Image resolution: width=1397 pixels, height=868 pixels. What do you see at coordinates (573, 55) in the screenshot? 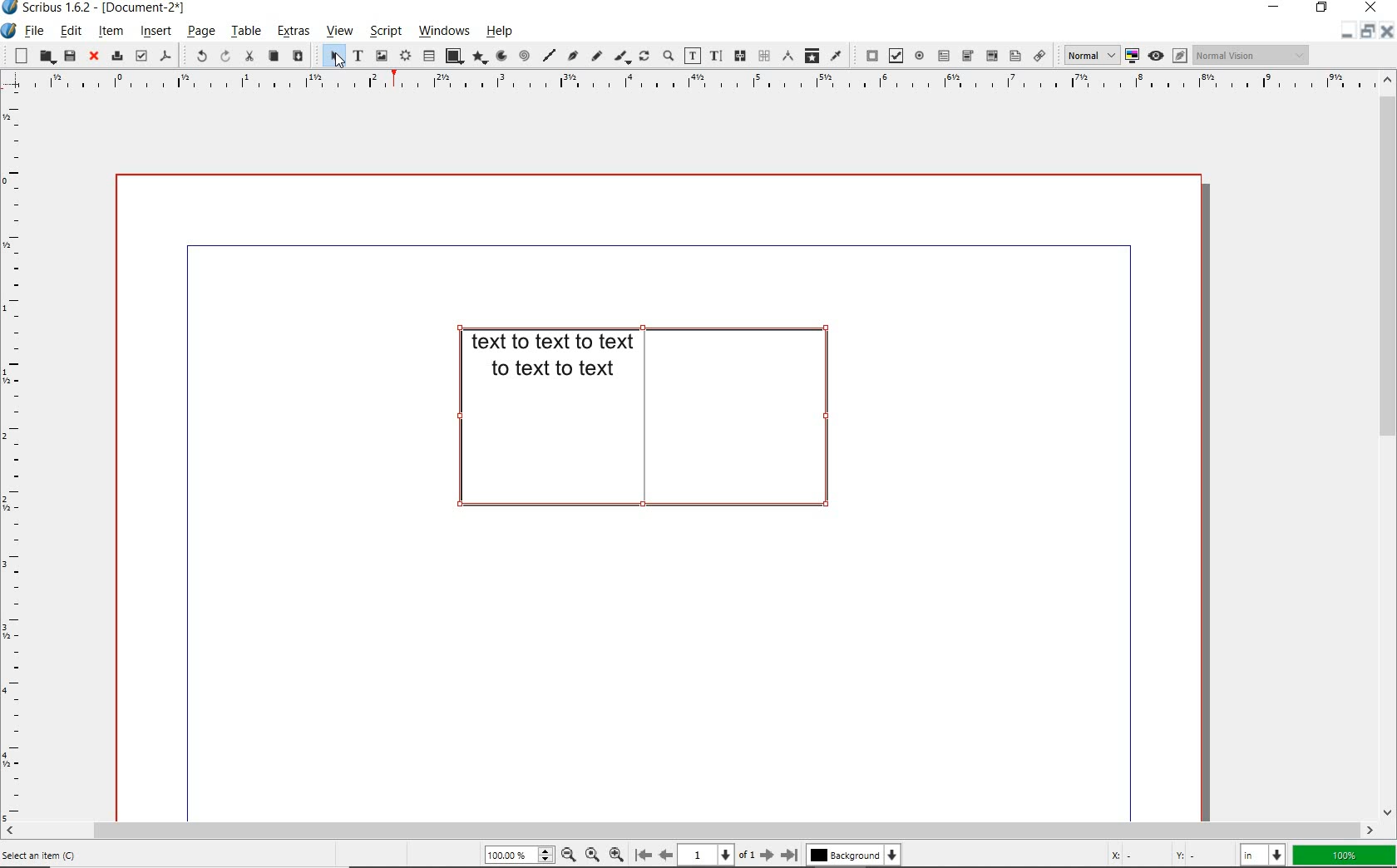
I see `Bezier curve` at bounding box center [573, 55].